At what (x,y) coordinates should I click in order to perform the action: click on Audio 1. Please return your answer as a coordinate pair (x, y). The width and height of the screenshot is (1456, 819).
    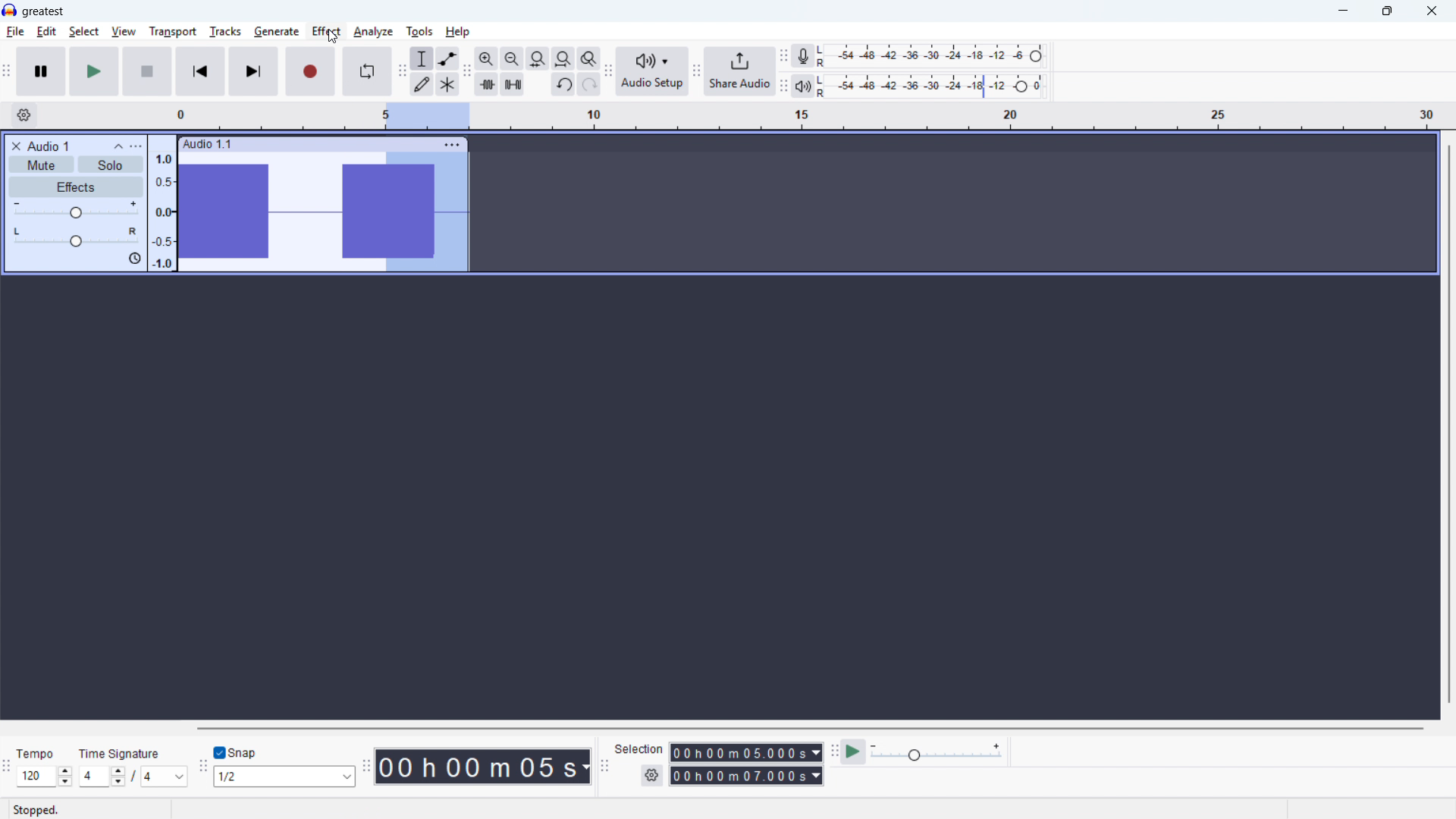
    Looking at the image, I should click on (49, 146).